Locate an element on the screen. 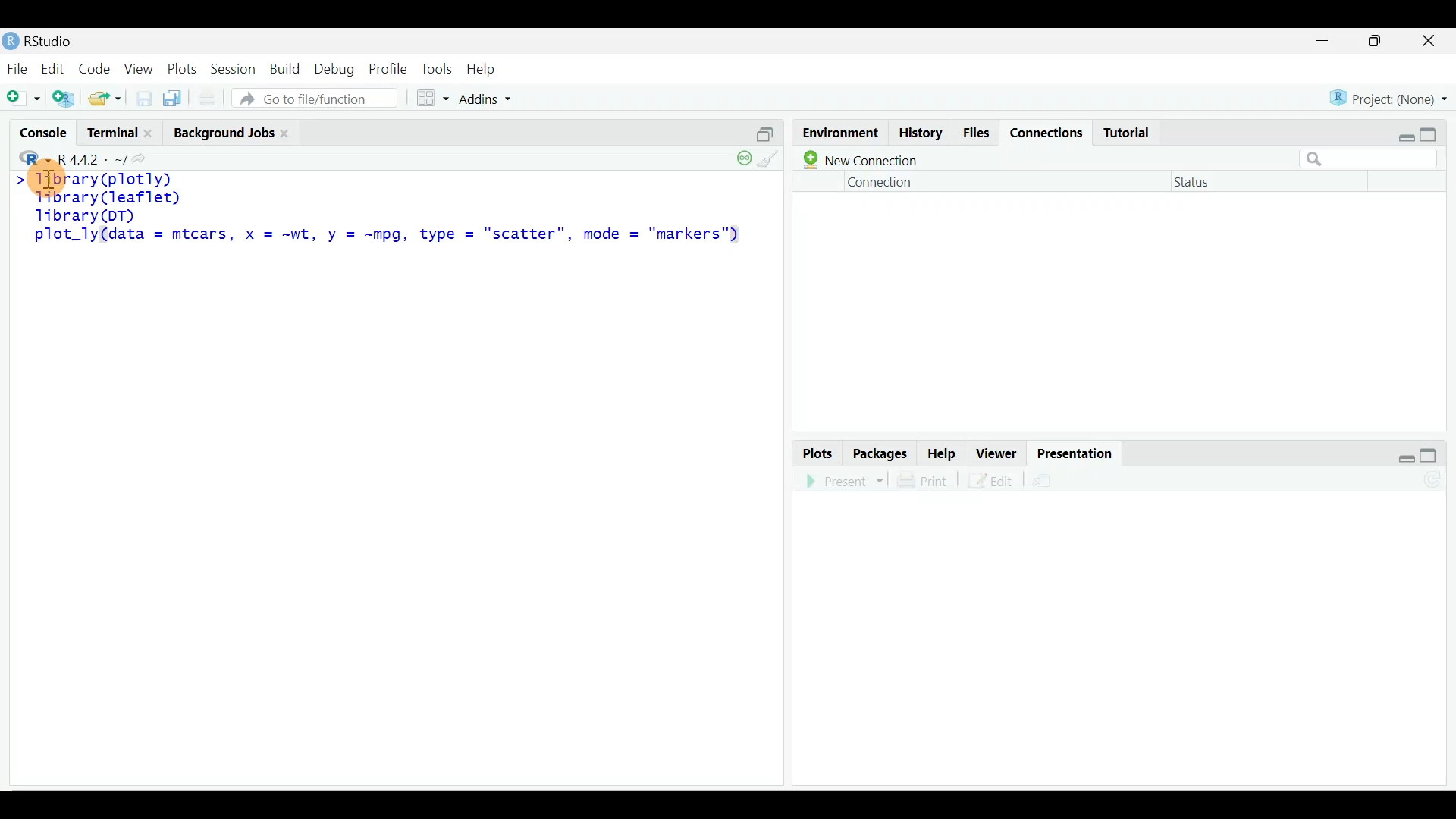  Addins is located at coordinates (488, 97).